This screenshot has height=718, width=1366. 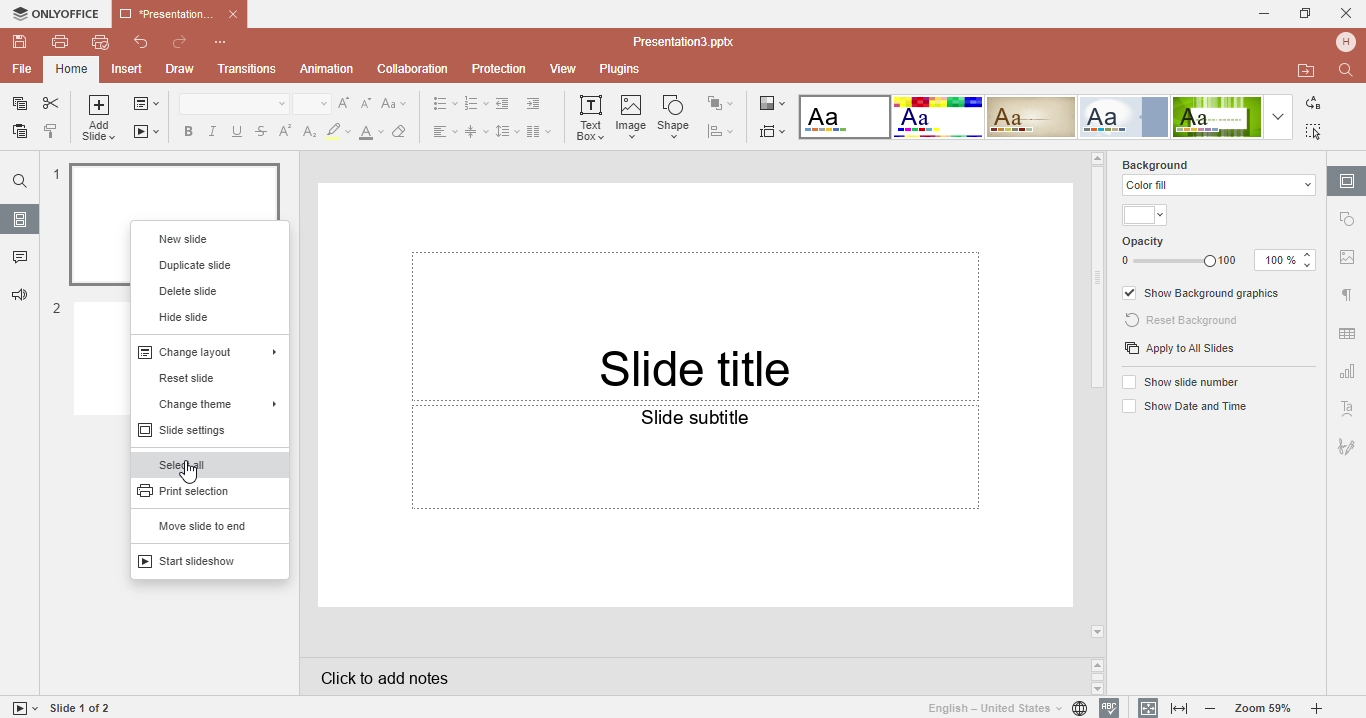 I want to click on Document name, so click(x=178, y=12).